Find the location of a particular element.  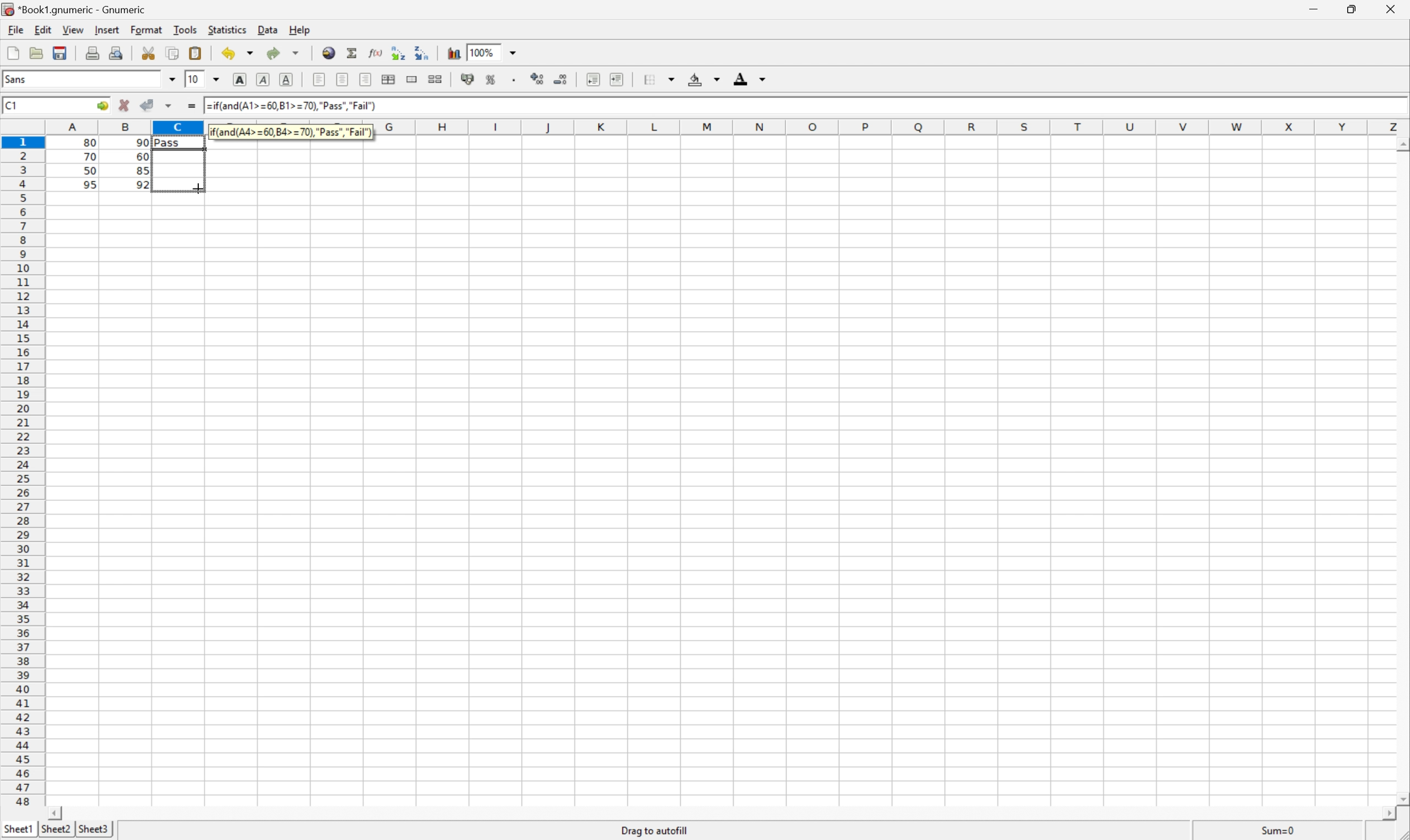

Drop Down is located at coordinates (220, 79).